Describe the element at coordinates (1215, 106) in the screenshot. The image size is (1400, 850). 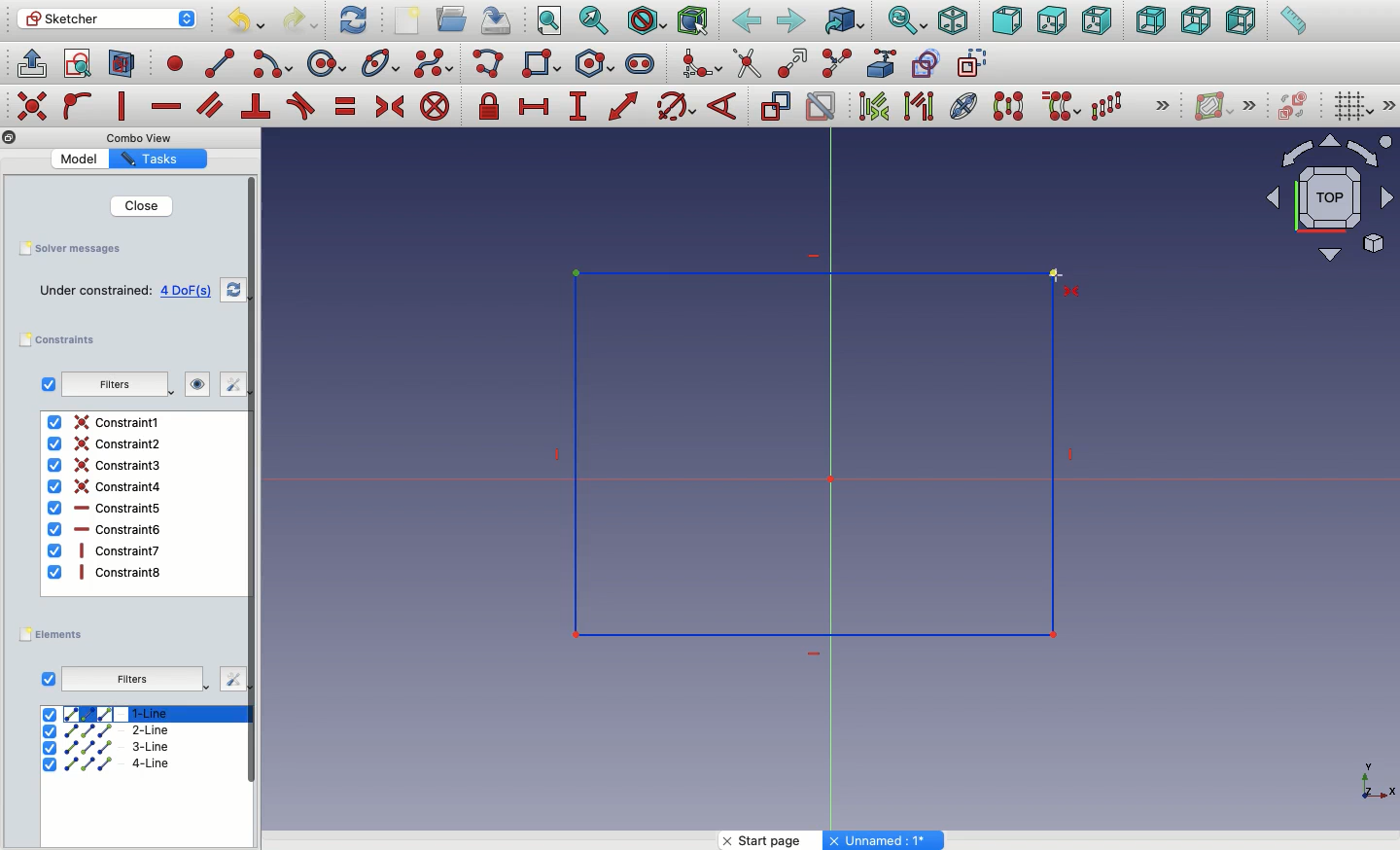
I see `Show hide B spline information layer` at that location.